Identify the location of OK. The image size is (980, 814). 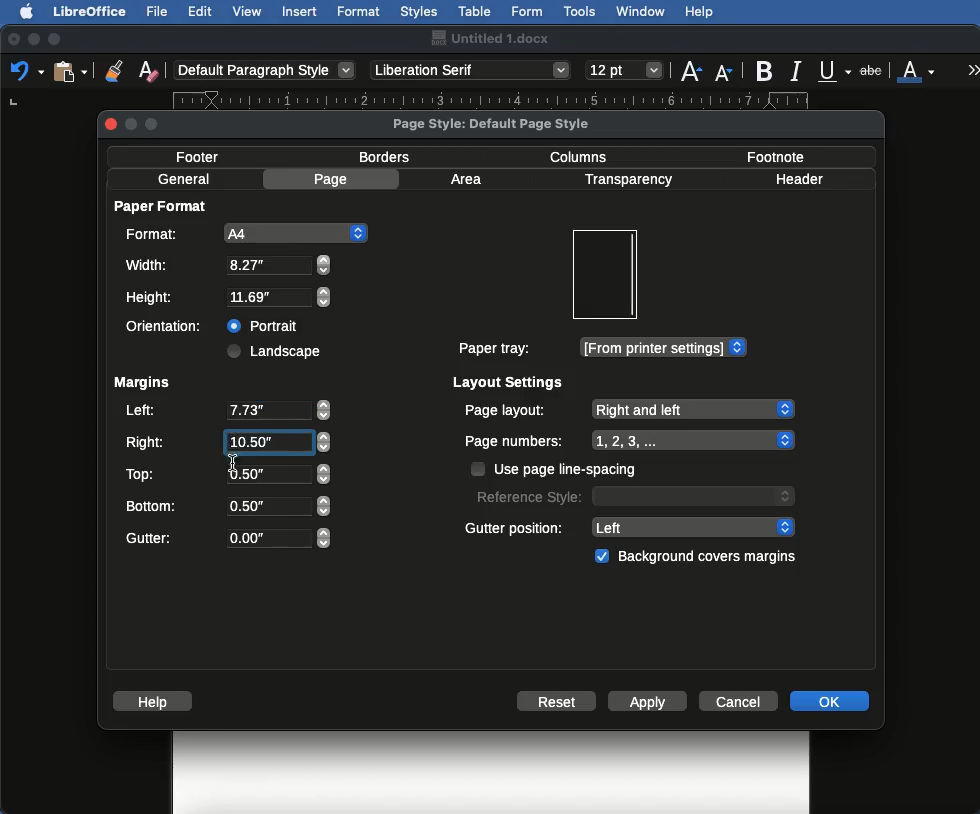
(829, 700).